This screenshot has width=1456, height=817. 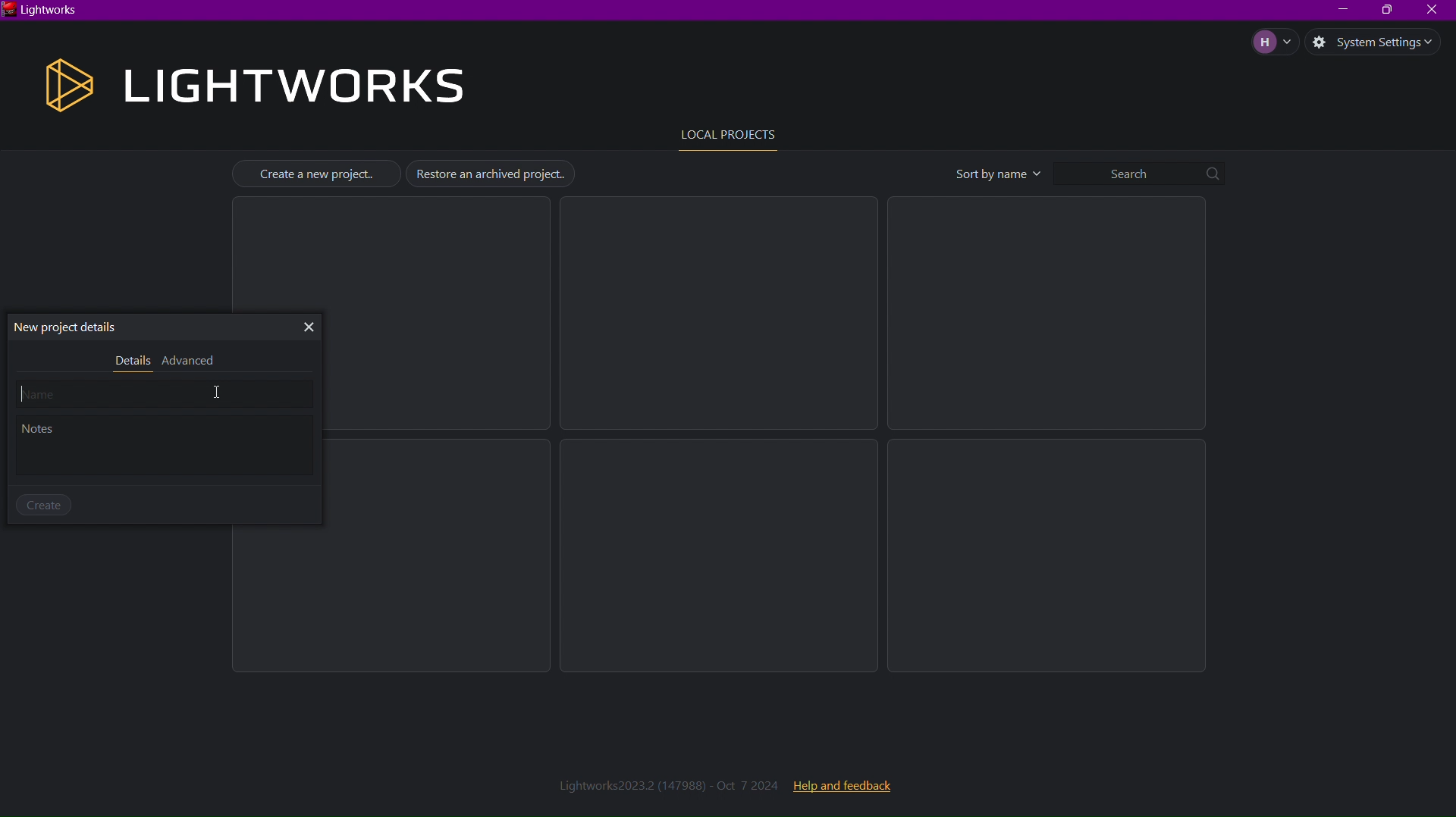 I want to click on Help and feedback, so click(x=841, y=785).